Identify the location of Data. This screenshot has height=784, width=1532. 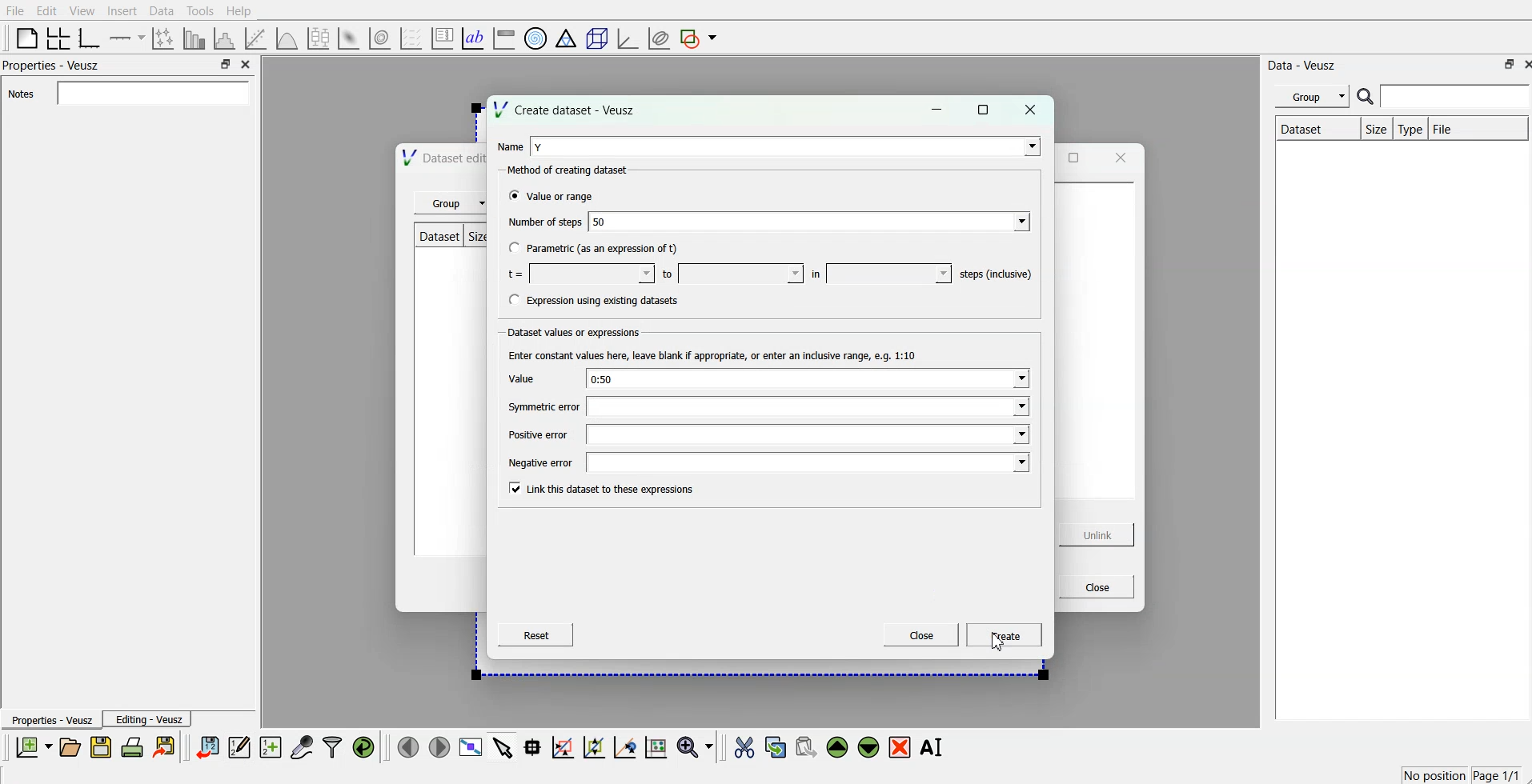
(162, 11).